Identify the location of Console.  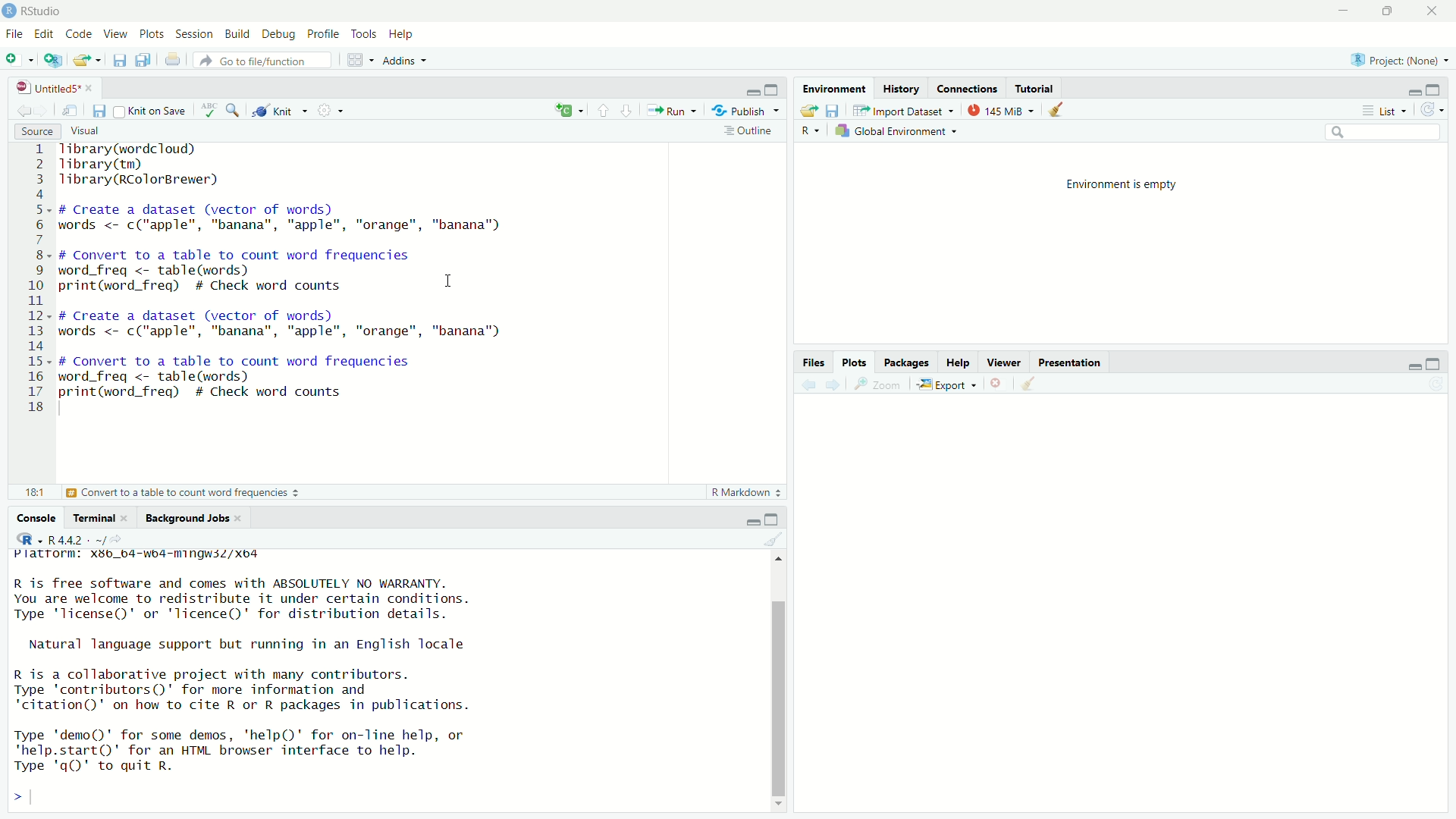
(32, 517).